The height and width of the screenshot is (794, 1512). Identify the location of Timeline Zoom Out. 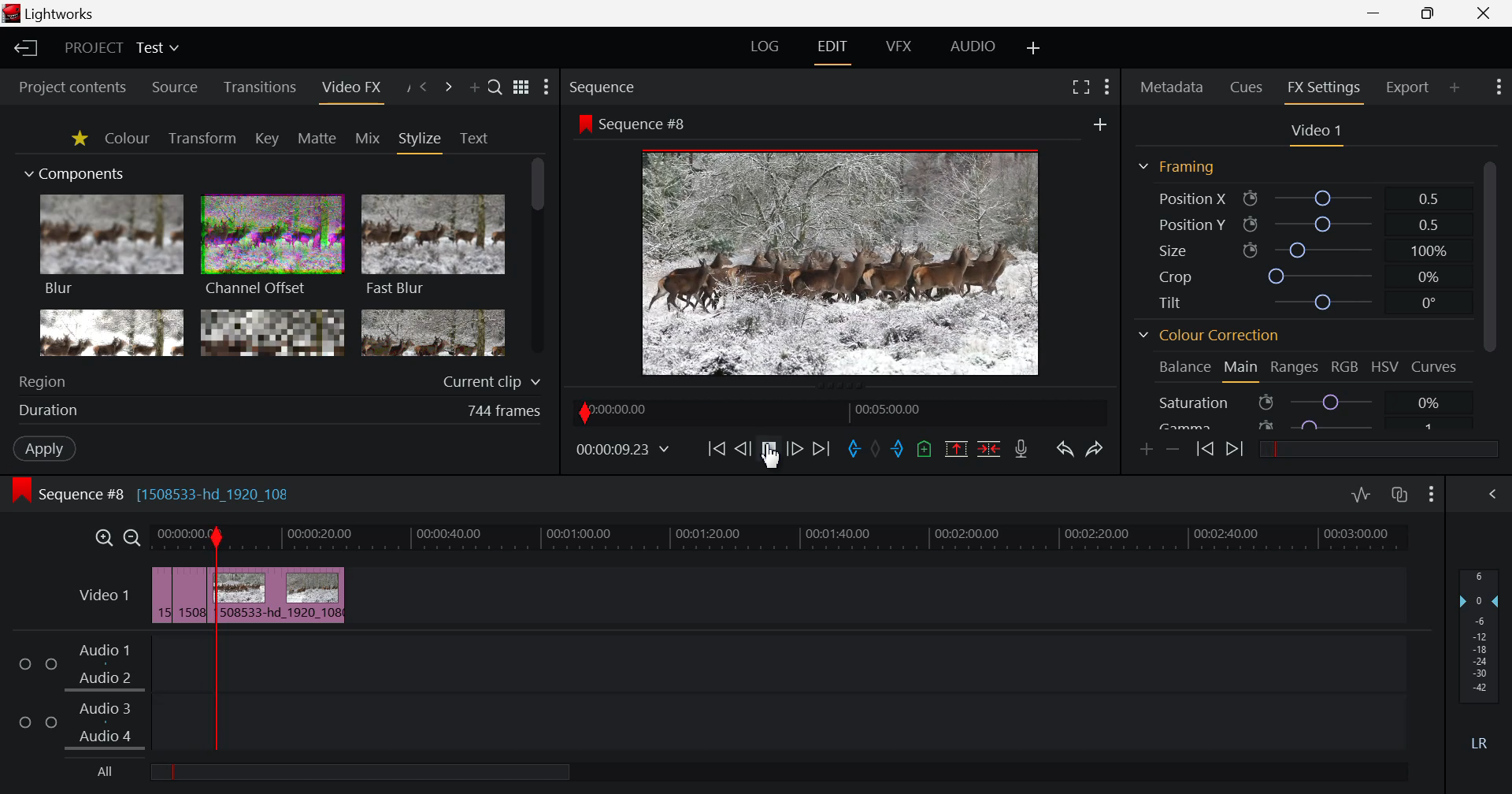
(133, 538).